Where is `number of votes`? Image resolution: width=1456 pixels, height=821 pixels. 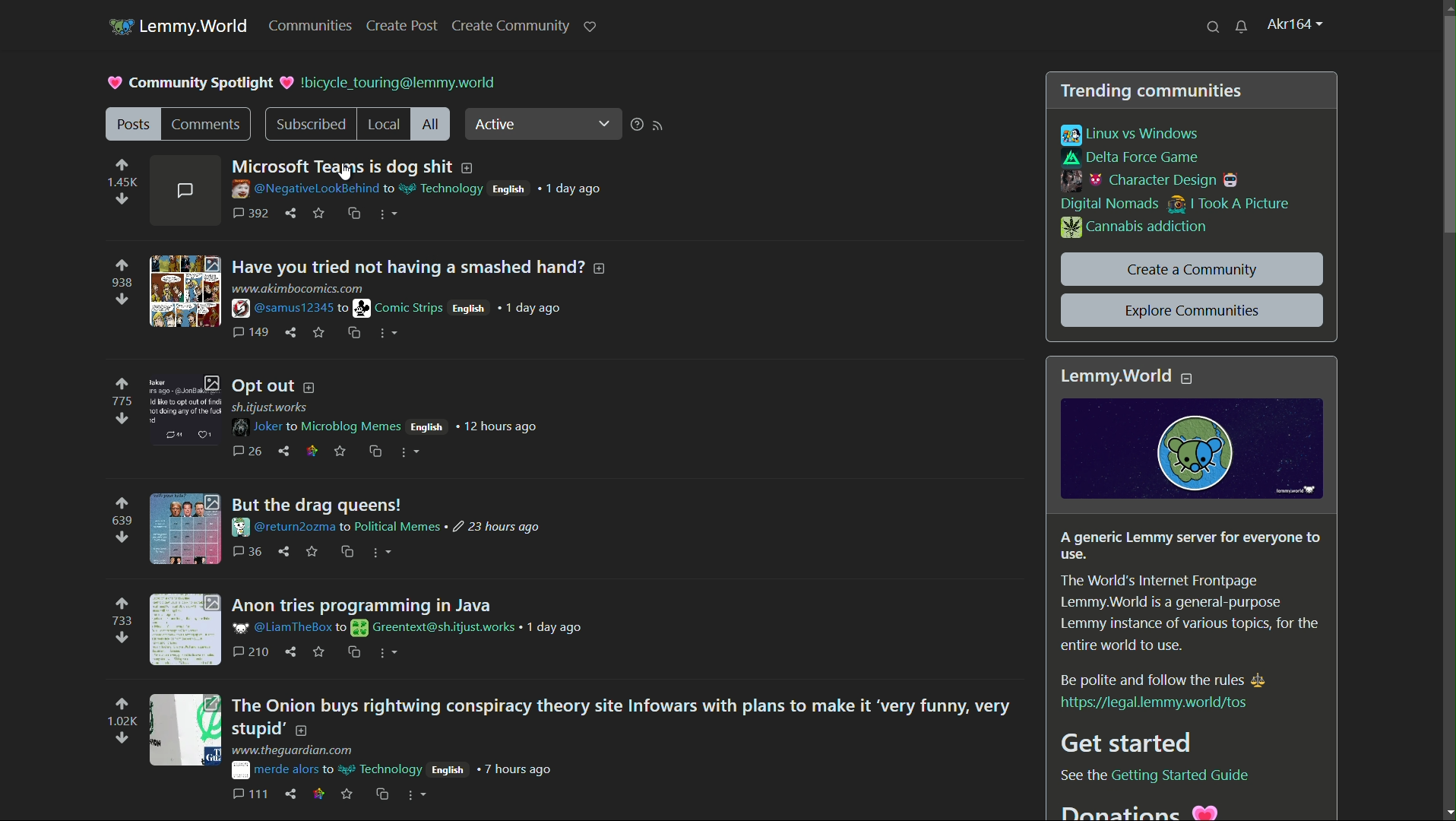 number of votes is located at coordinates (121, 400).